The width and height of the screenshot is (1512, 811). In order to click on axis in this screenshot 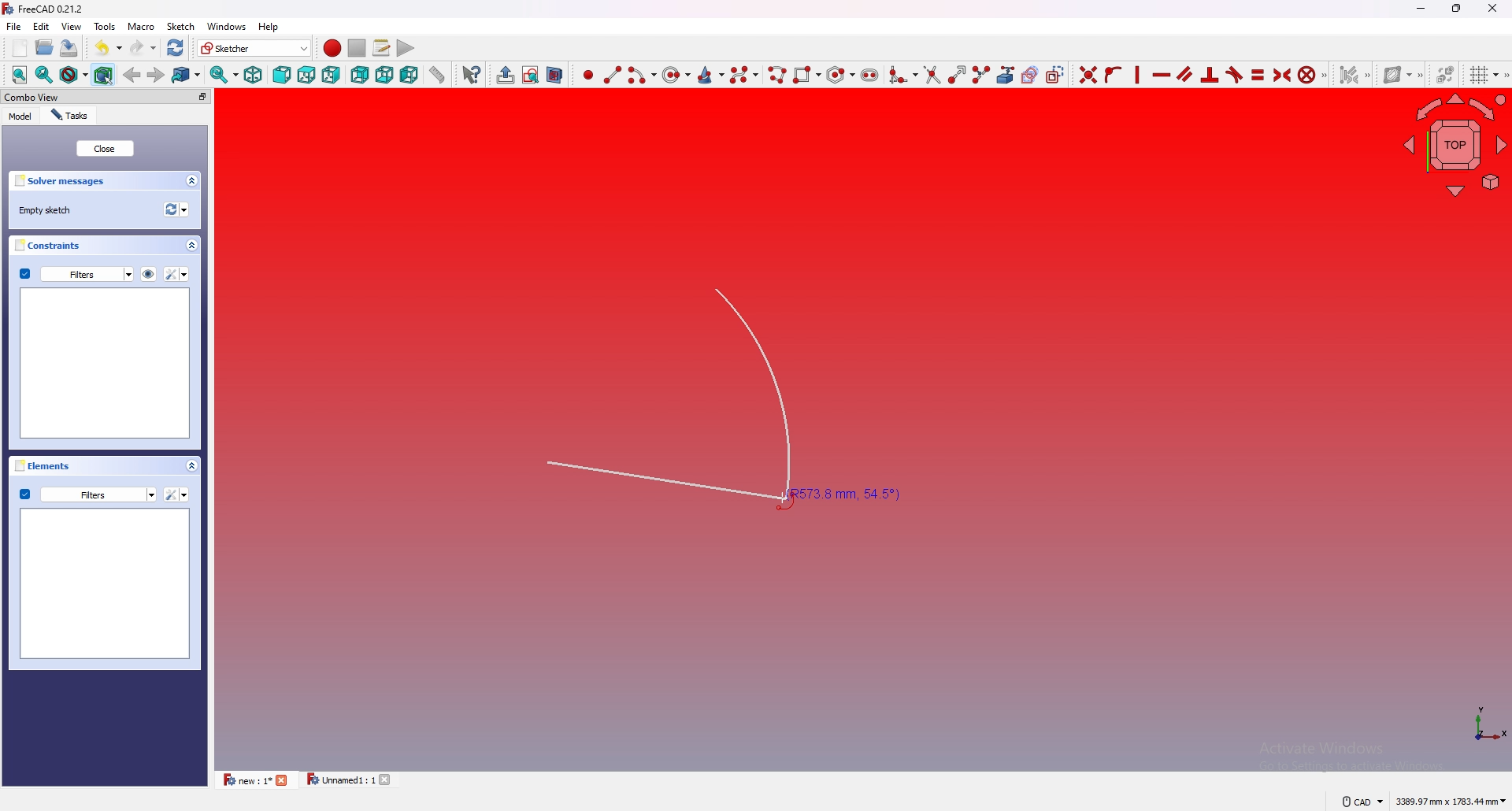, I will do `click(1482, 724)`.